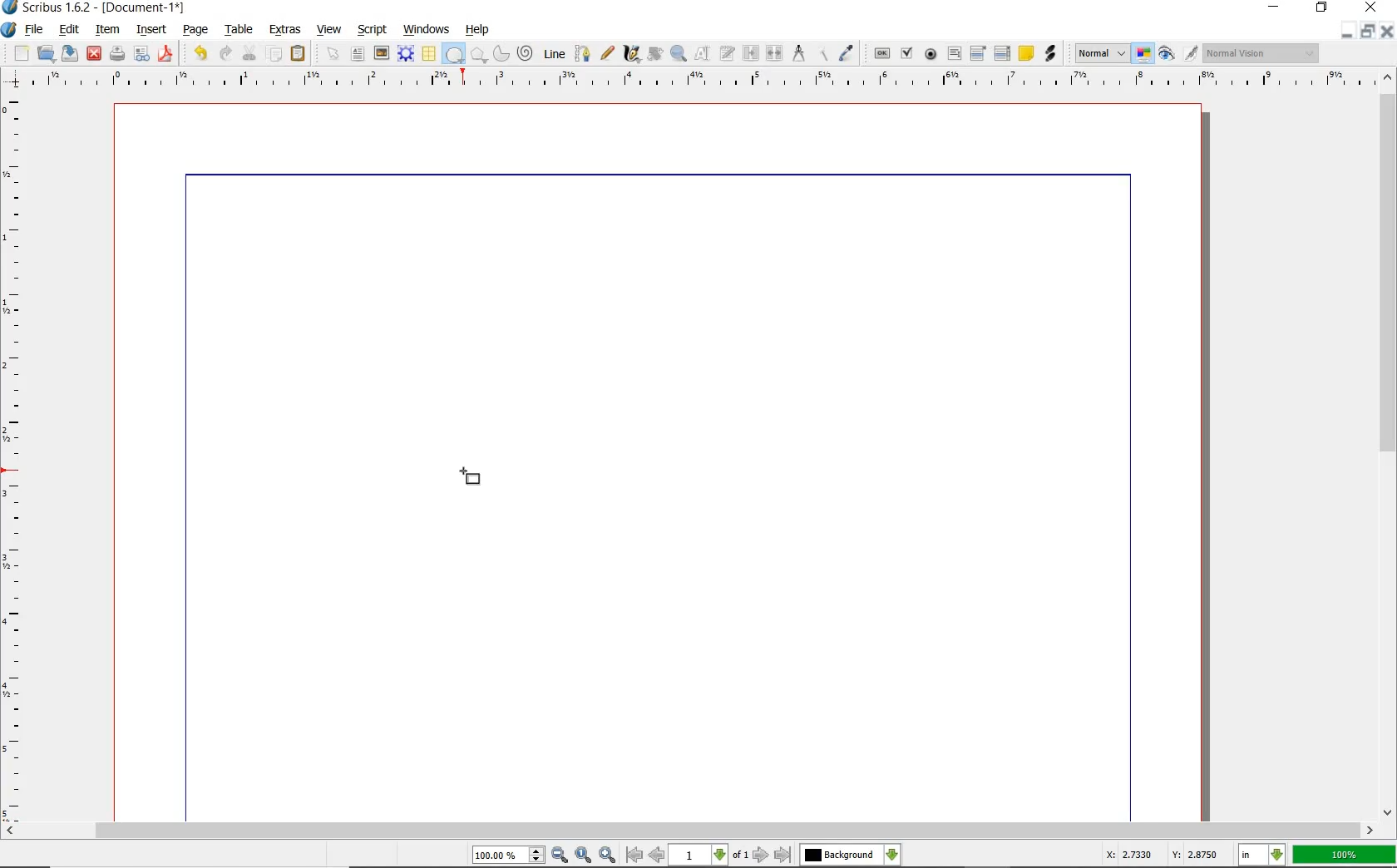  I want to click on WINDOWS, so click(427, 30).